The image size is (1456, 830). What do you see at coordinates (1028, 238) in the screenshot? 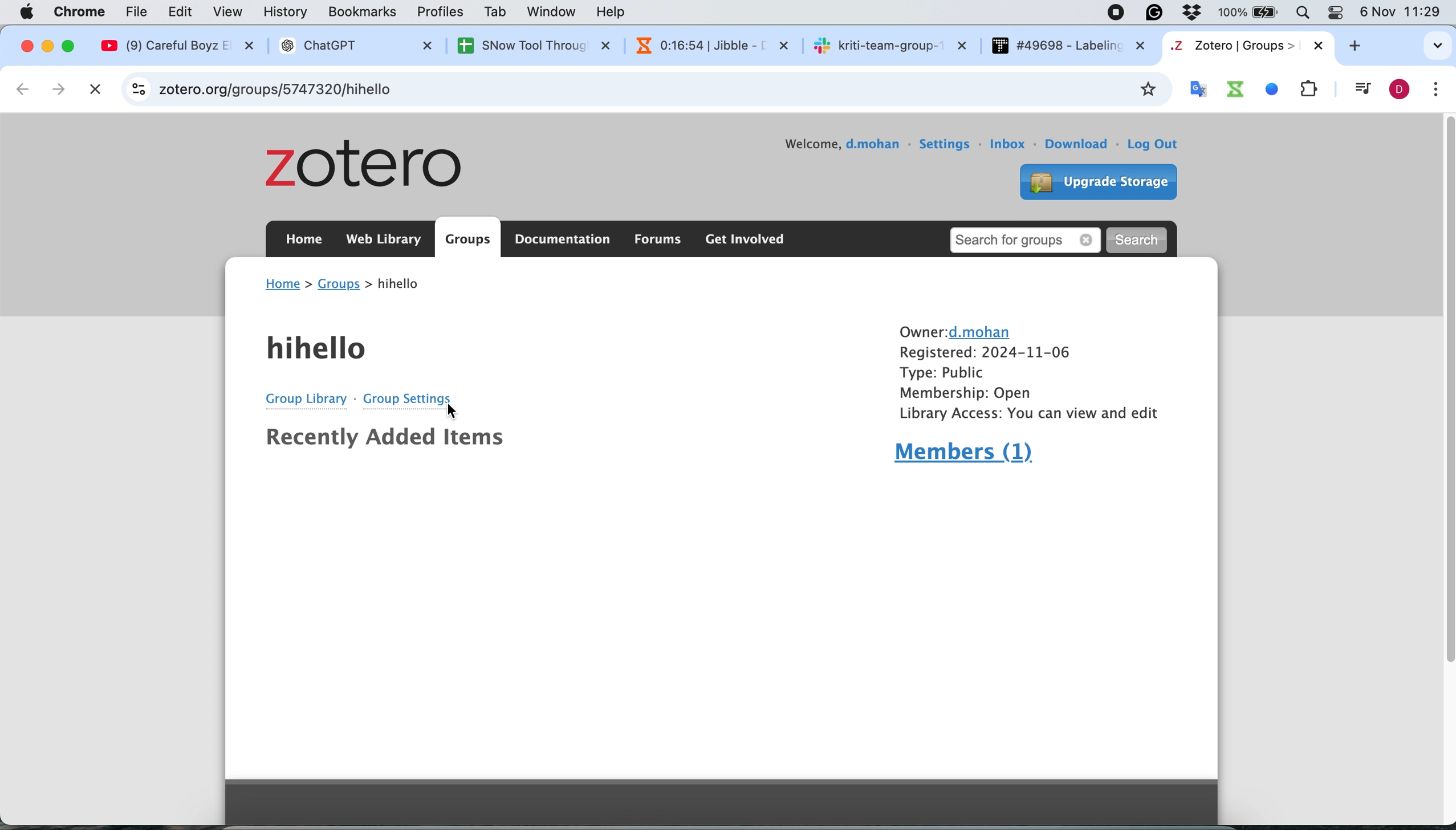
I see `search for groups` at bounding box center [1028, 238].